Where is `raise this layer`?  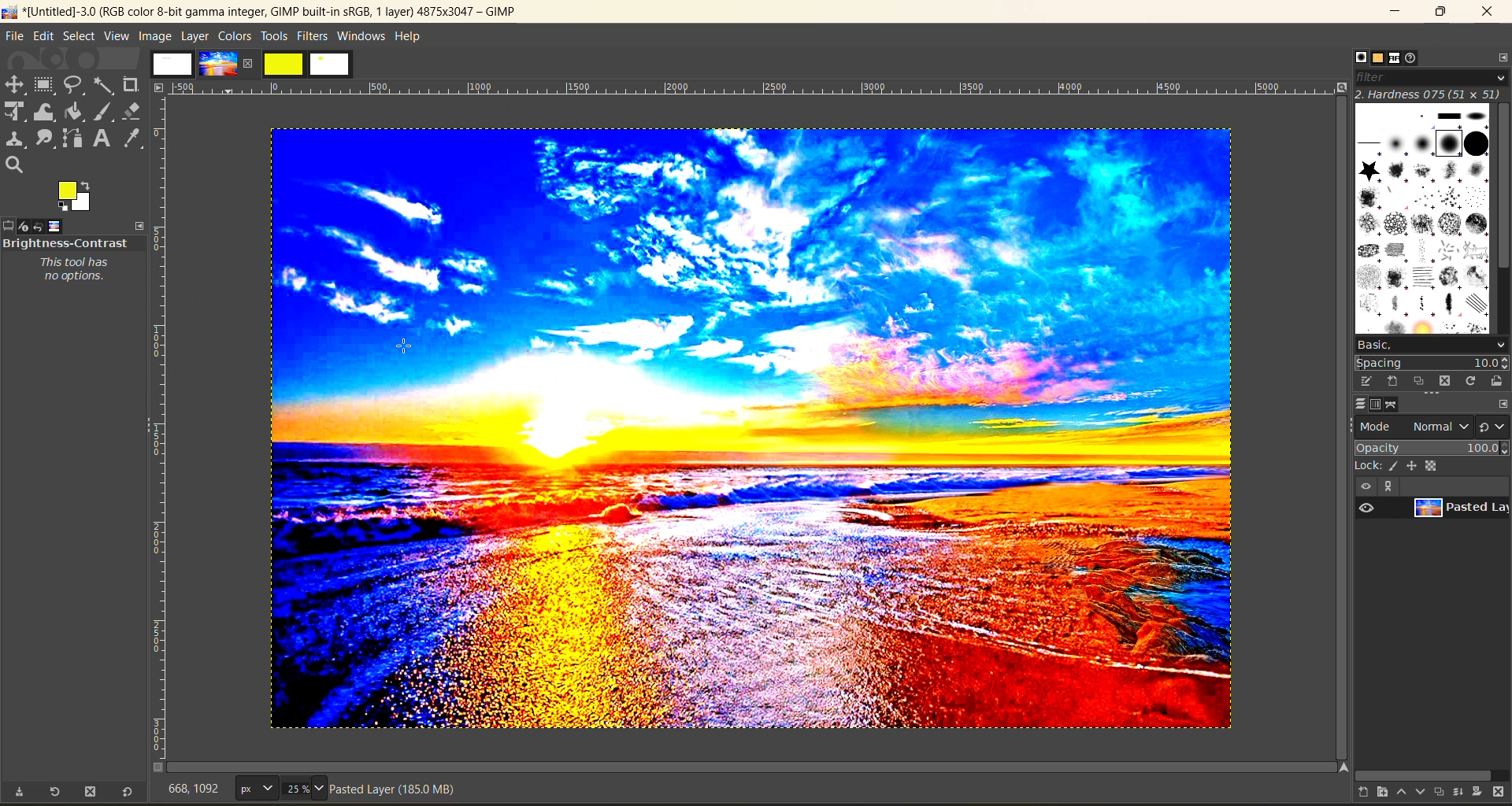 raise this layer is located at coordinates (1406, 794).